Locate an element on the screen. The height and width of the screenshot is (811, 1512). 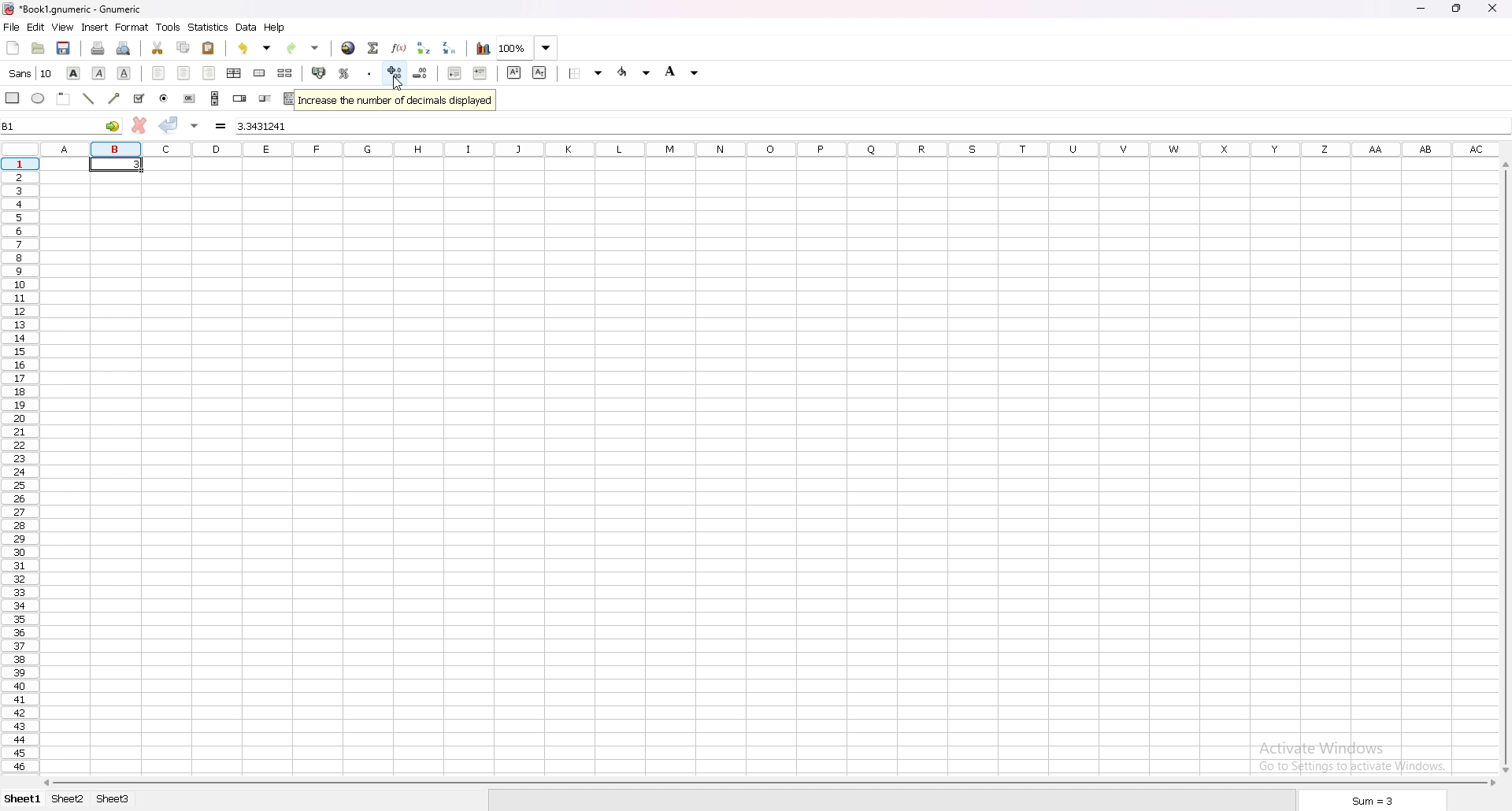
arrowed line is located at coordinates (113, 98).